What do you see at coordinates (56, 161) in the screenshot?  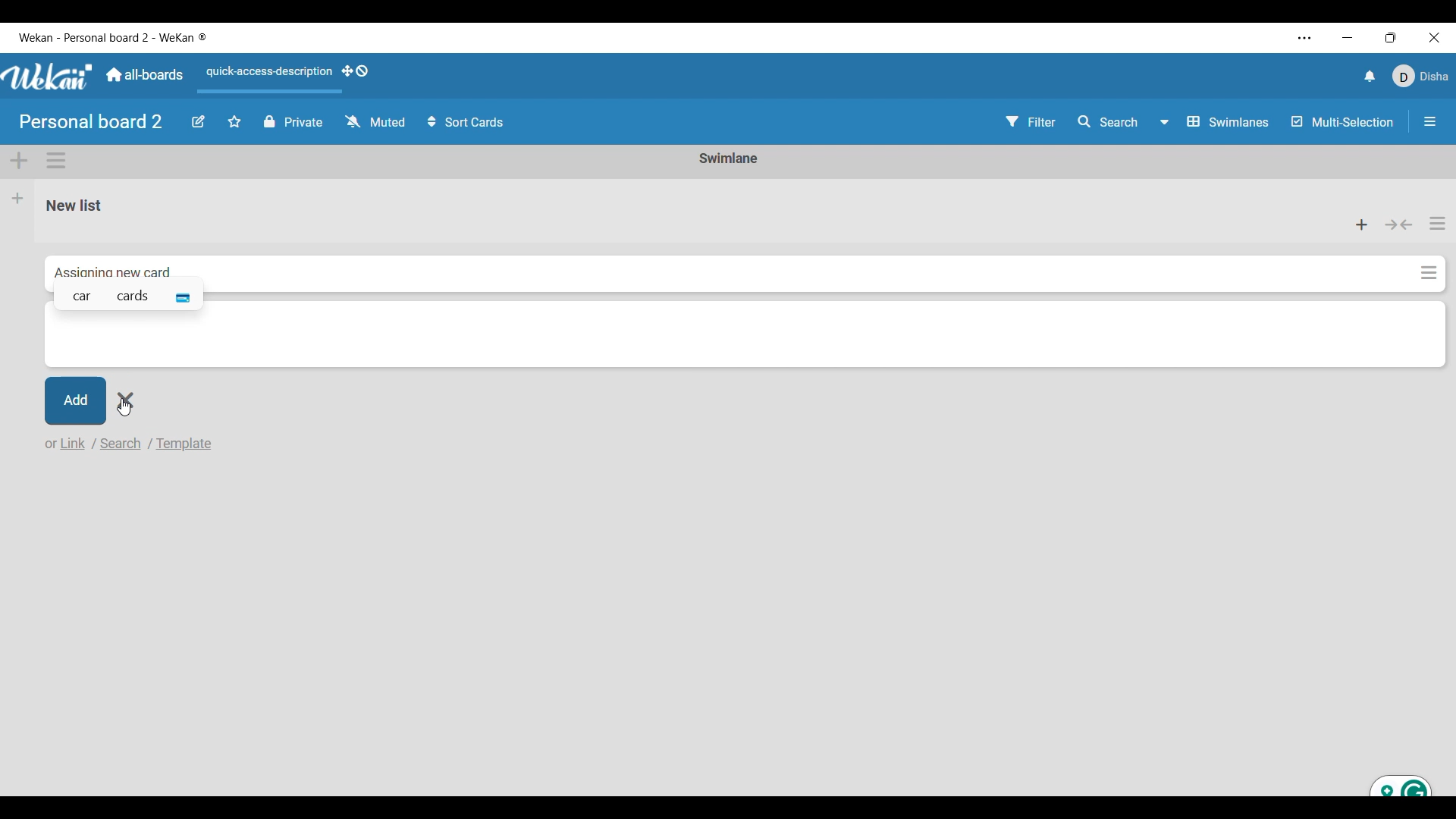 I see `Swimlane actions` at bounding box center [56, 161].